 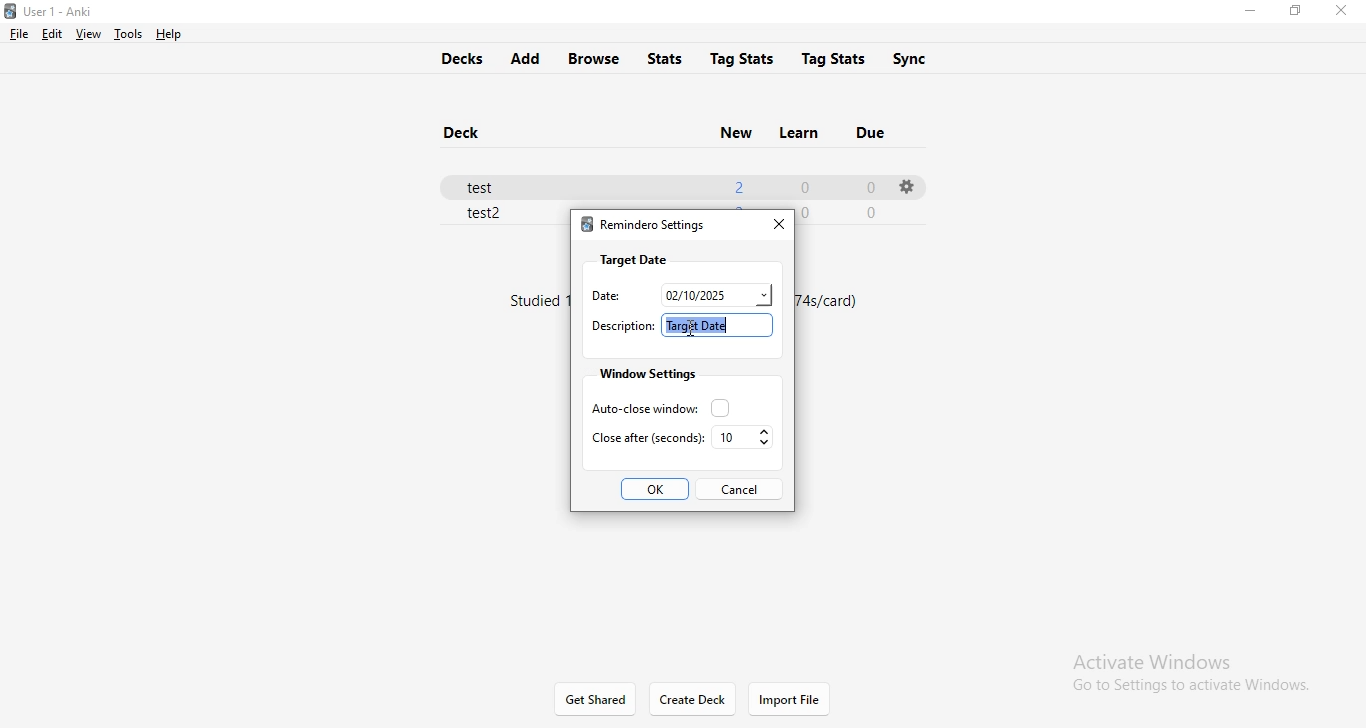 What do you see at coordinates (1294, 11) in the screenshot?
I see `restore` at bounding box center [1294, 11].